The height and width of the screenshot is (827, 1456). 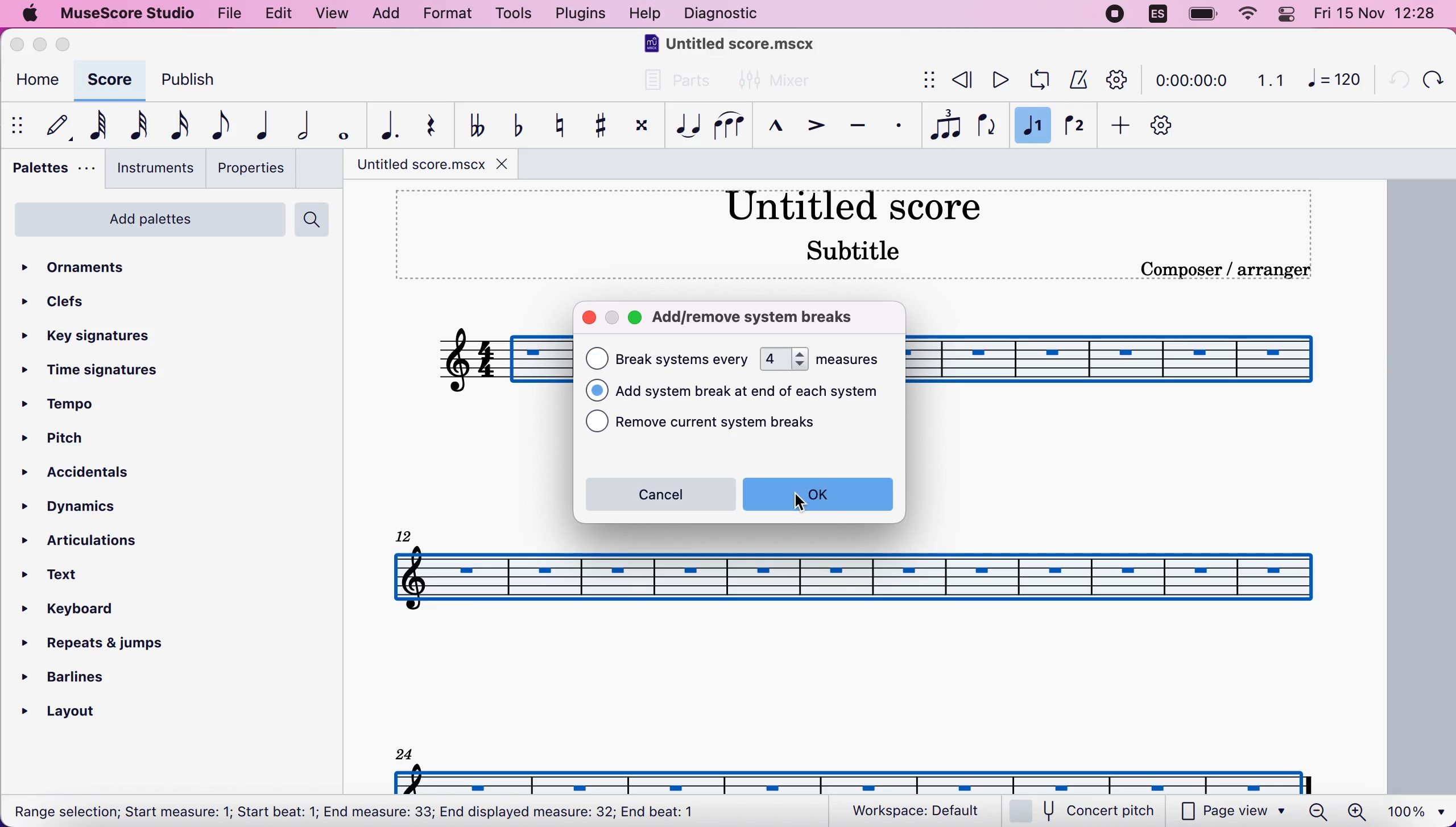 I want to click on remove current system breaks, so click(x=734, y=424).